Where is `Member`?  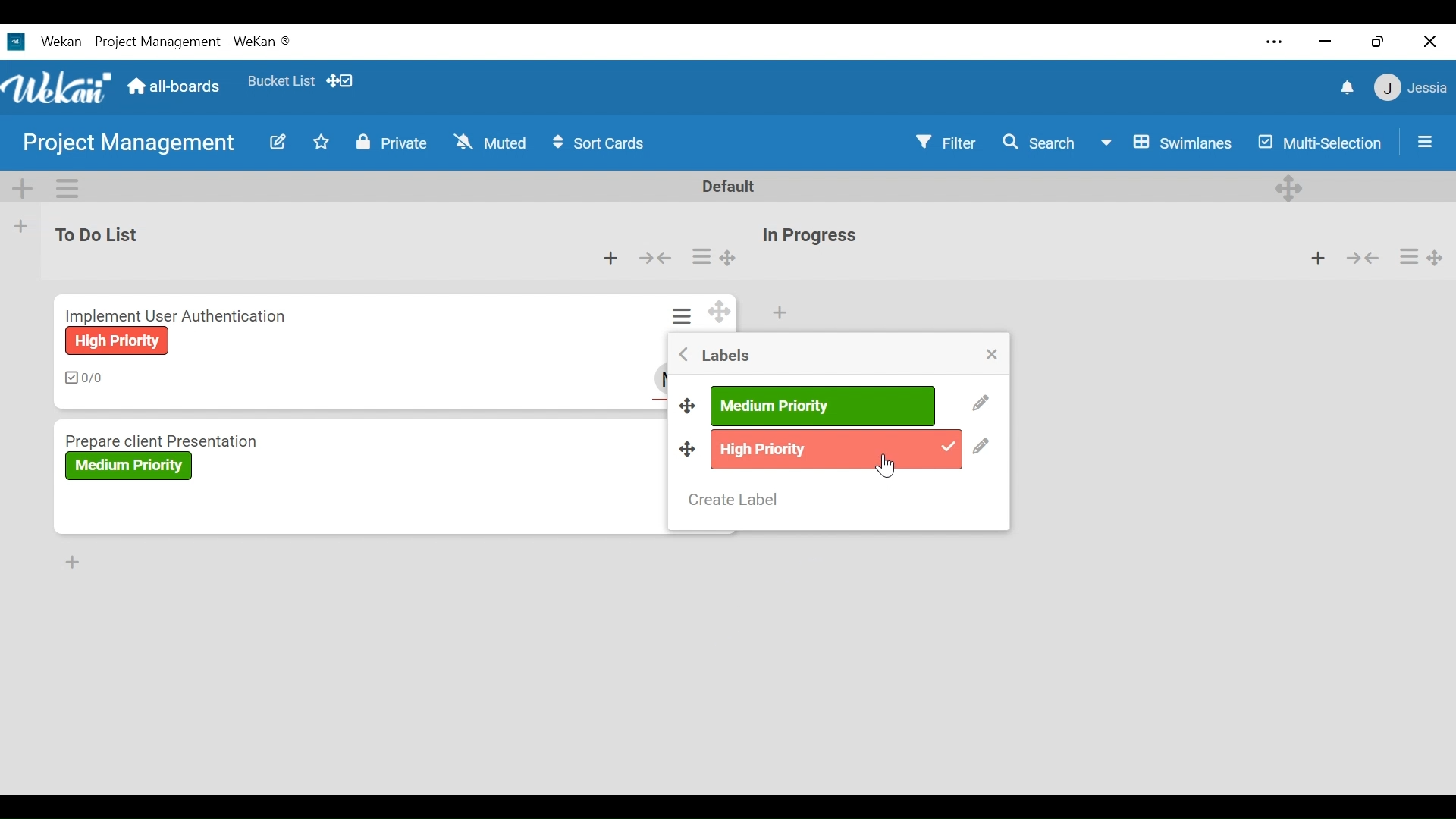
Member is located at coordinates (662, 378).